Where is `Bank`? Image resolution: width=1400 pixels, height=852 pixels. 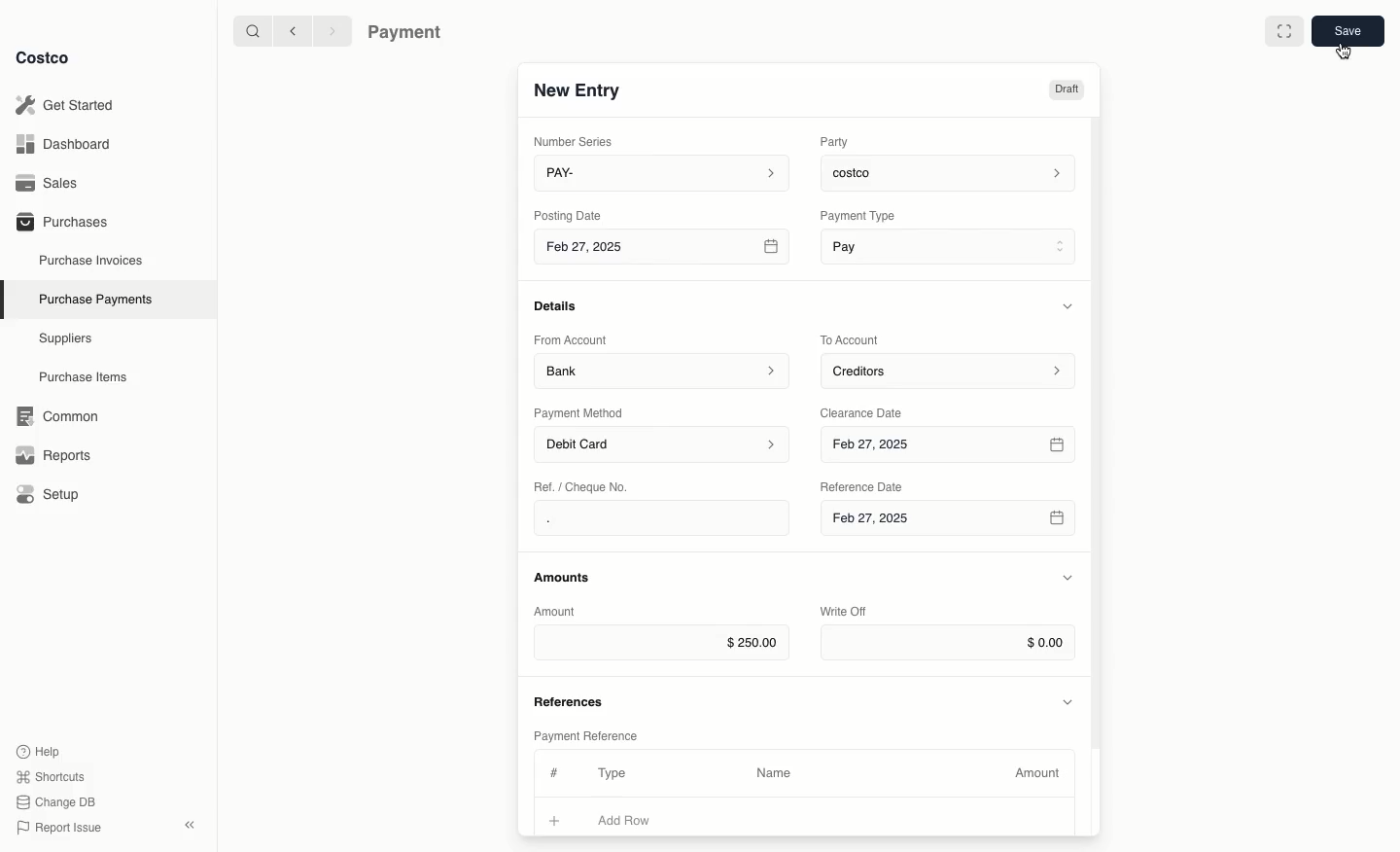
Bank is located at coordinates (662, 370).